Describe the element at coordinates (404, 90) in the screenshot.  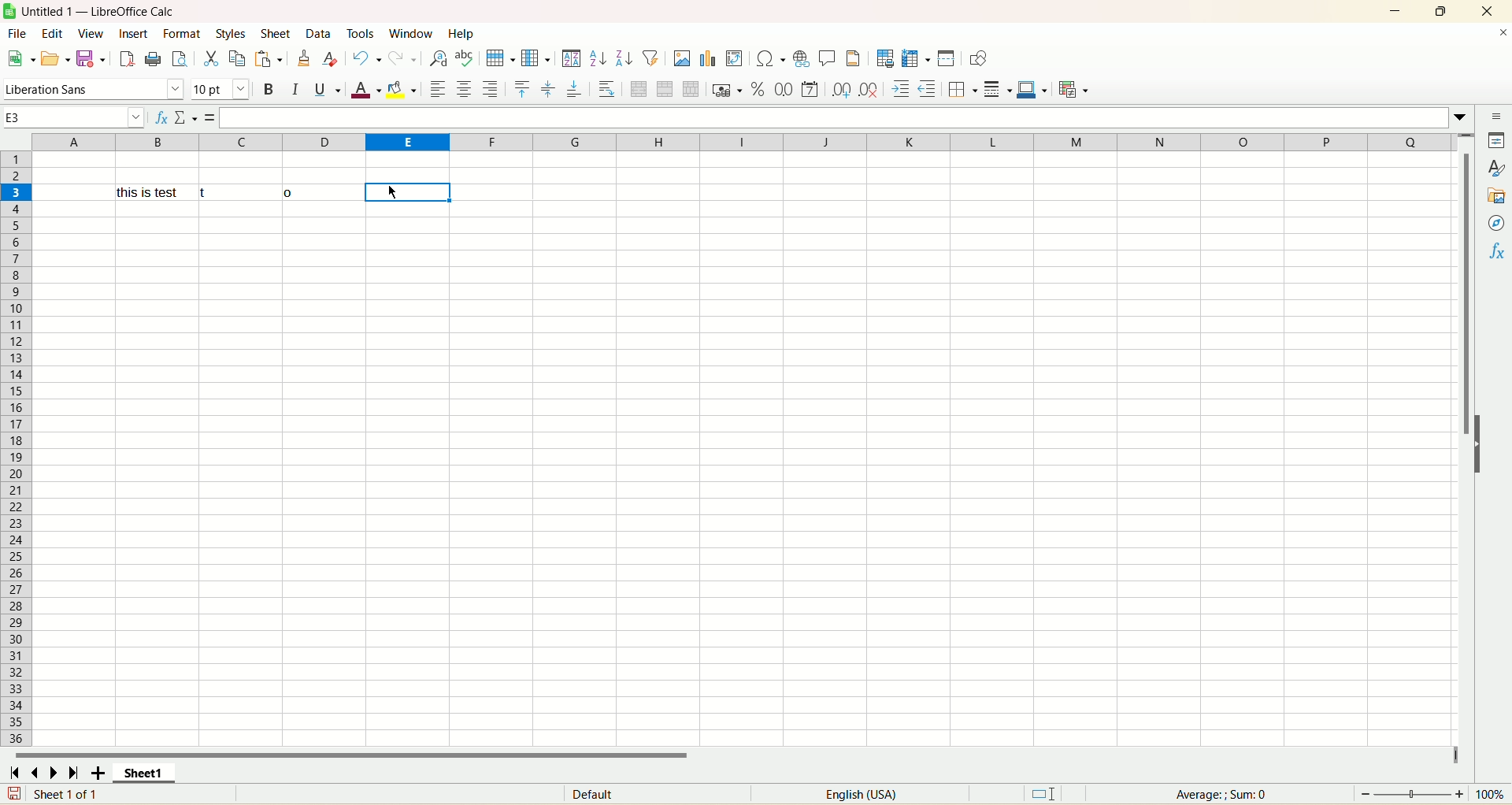
I see `background color` at that location.